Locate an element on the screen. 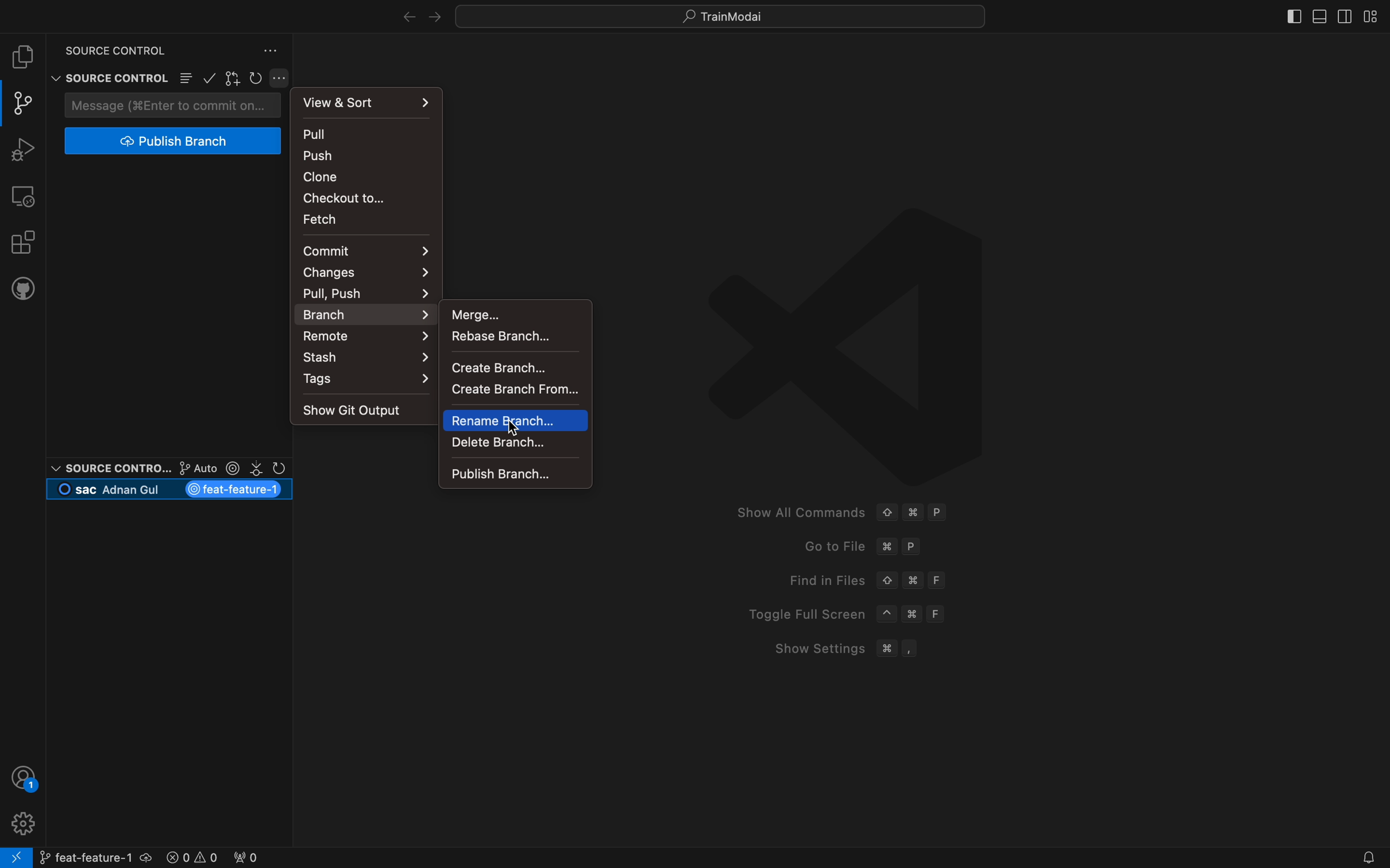 The width and height of the screenshot is (1390, 868). view and sort is located at coordinates (370, 100).